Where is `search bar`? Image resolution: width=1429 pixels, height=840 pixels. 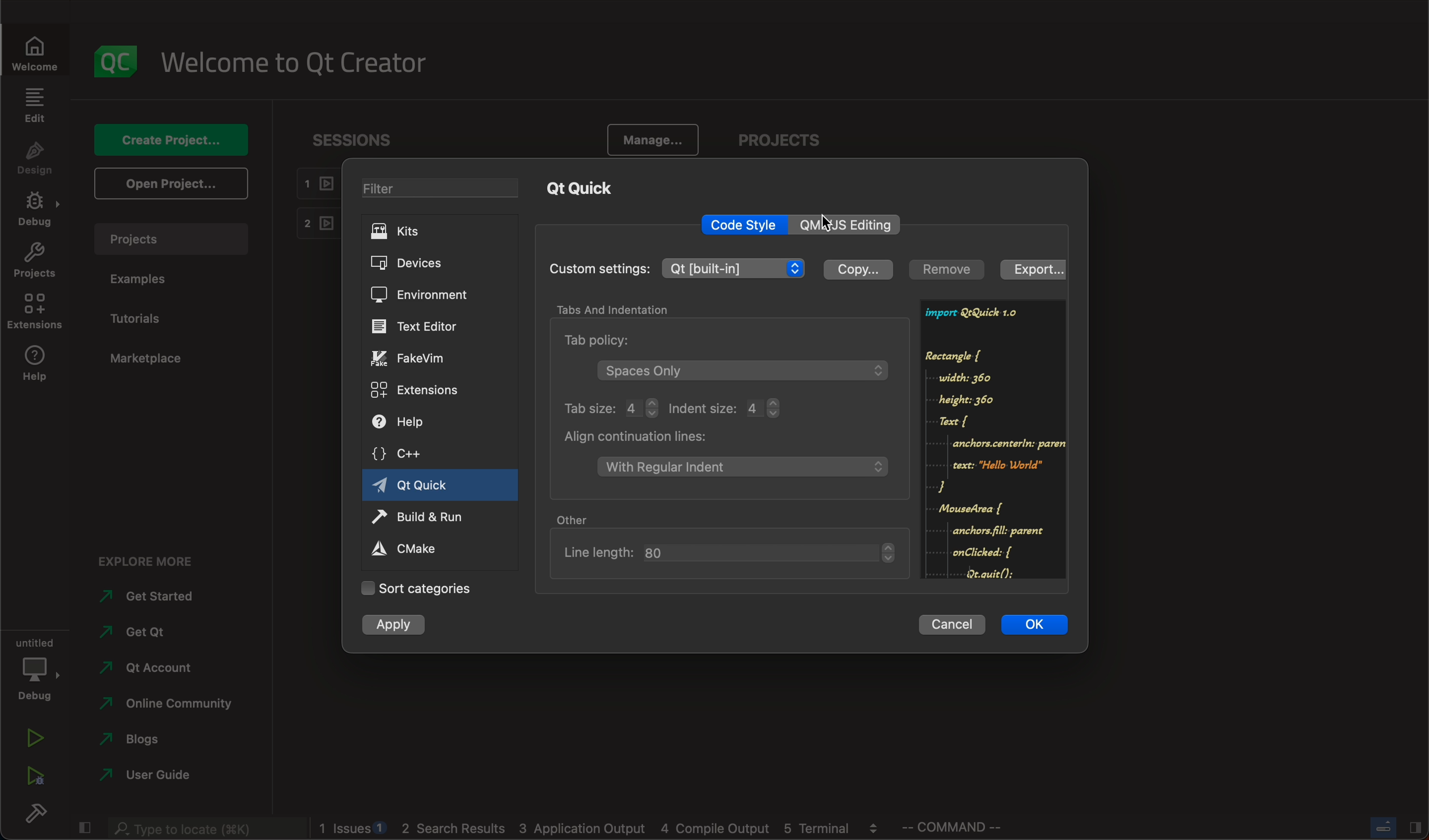 search bar is located at coordinates (206, 829).